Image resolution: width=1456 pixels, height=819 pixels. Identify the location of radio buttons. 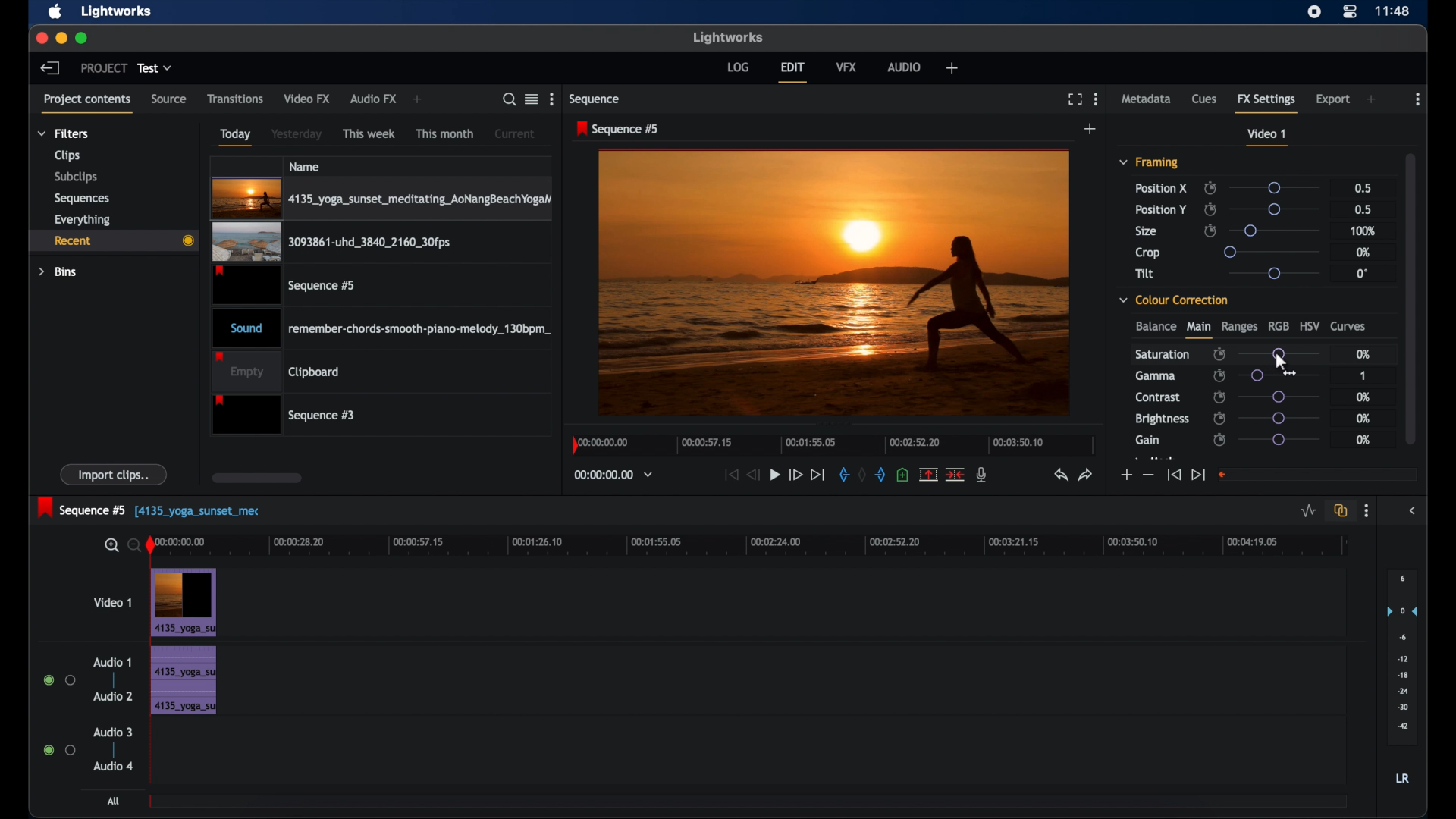
(59, 750).